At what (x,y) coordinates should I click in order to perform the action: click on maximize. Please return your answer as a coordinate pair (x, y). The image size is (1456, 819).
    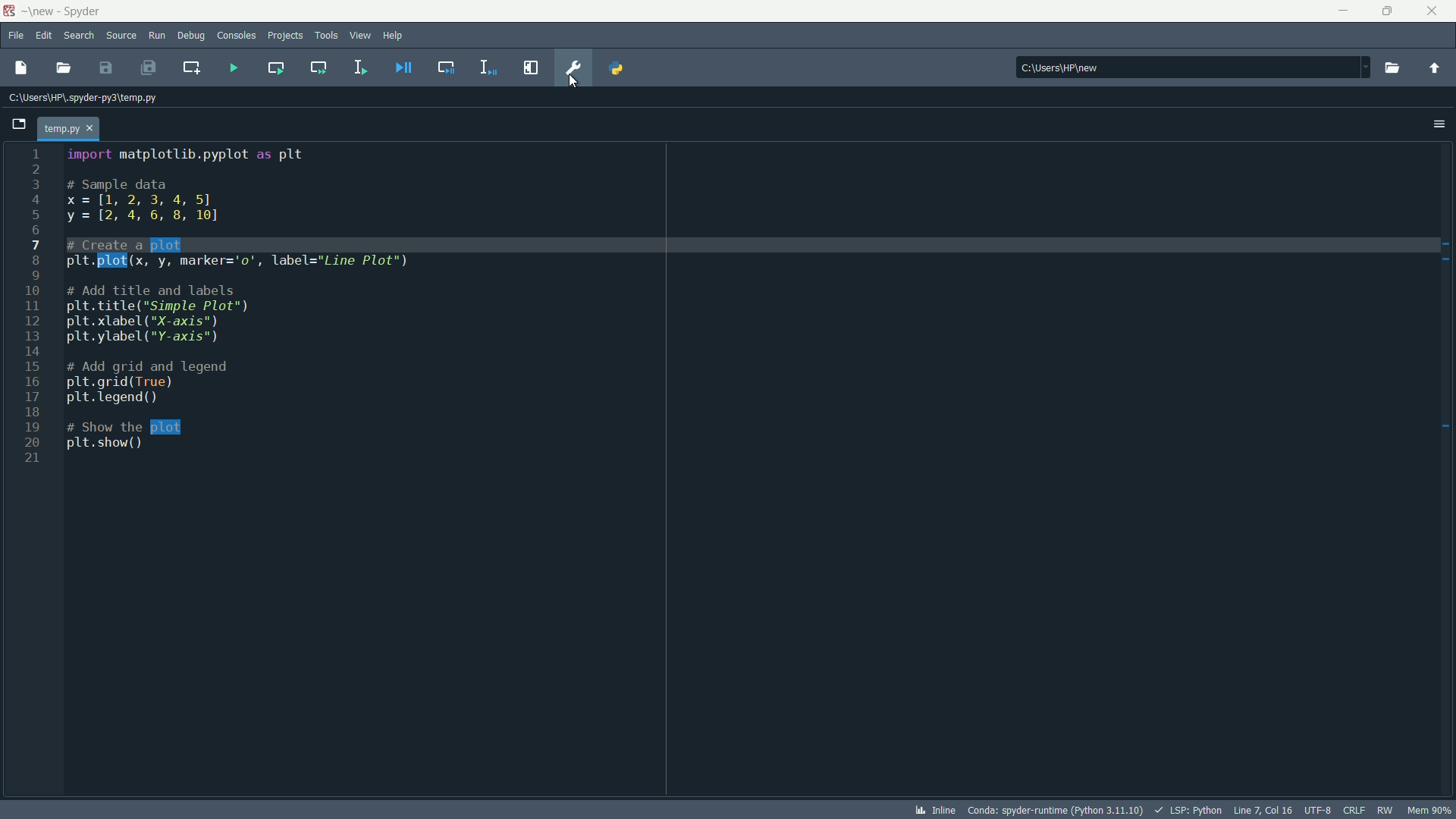
    Looking at the image, I should click on (1390, 11).